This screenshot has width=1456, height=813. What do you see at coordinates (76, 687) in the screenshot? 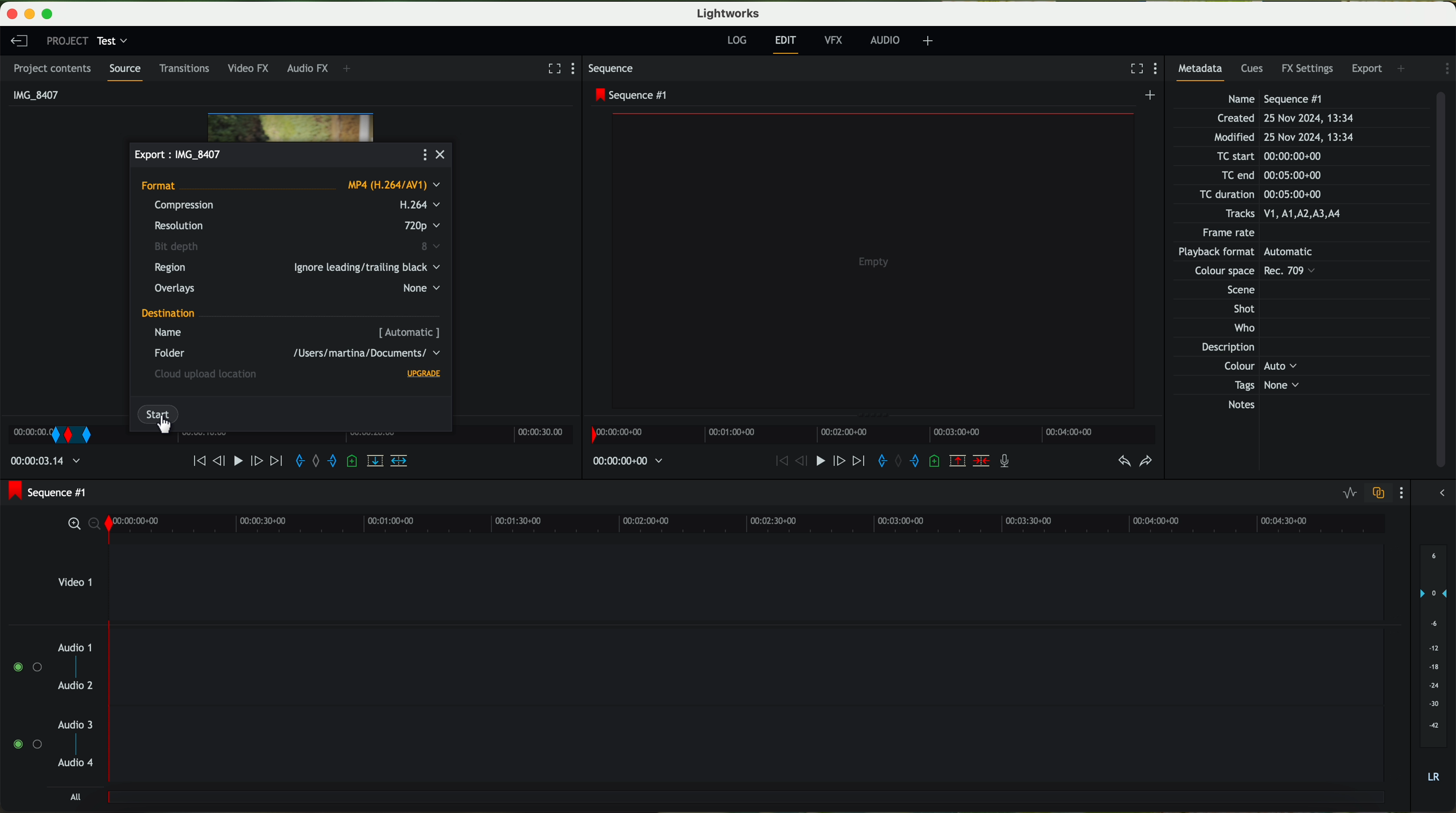
I see `audio 2` at bounding box center [76, 687].